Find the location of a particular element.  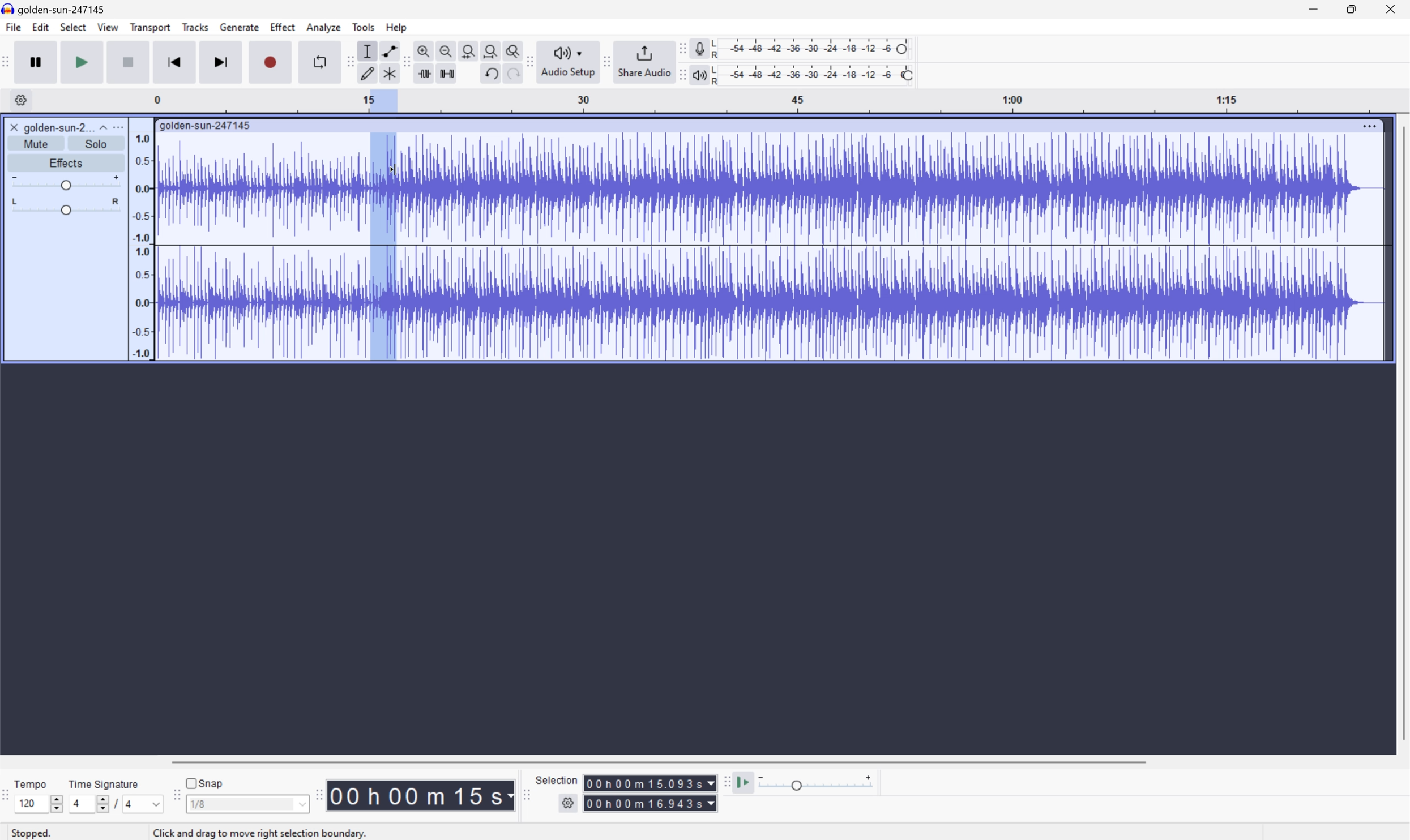

Settings is located at coordinates (570, 803).